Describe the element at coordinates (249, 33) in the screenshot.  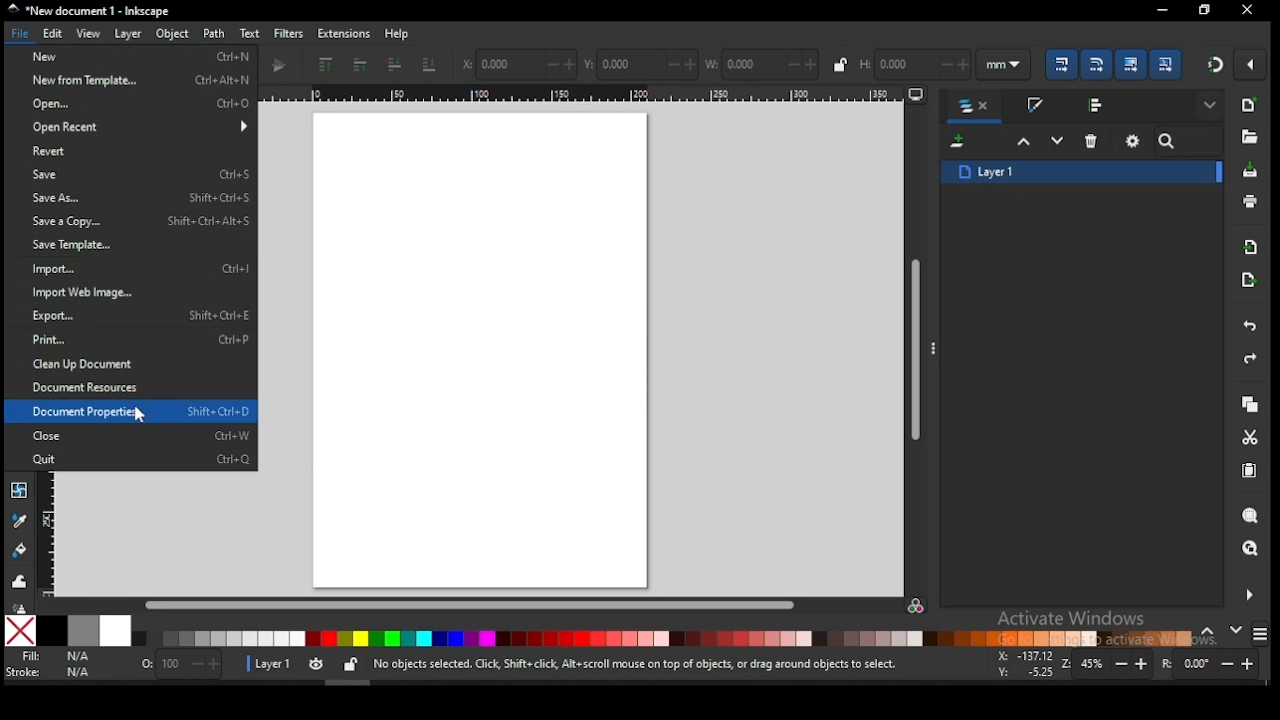
I see `text` at that location.